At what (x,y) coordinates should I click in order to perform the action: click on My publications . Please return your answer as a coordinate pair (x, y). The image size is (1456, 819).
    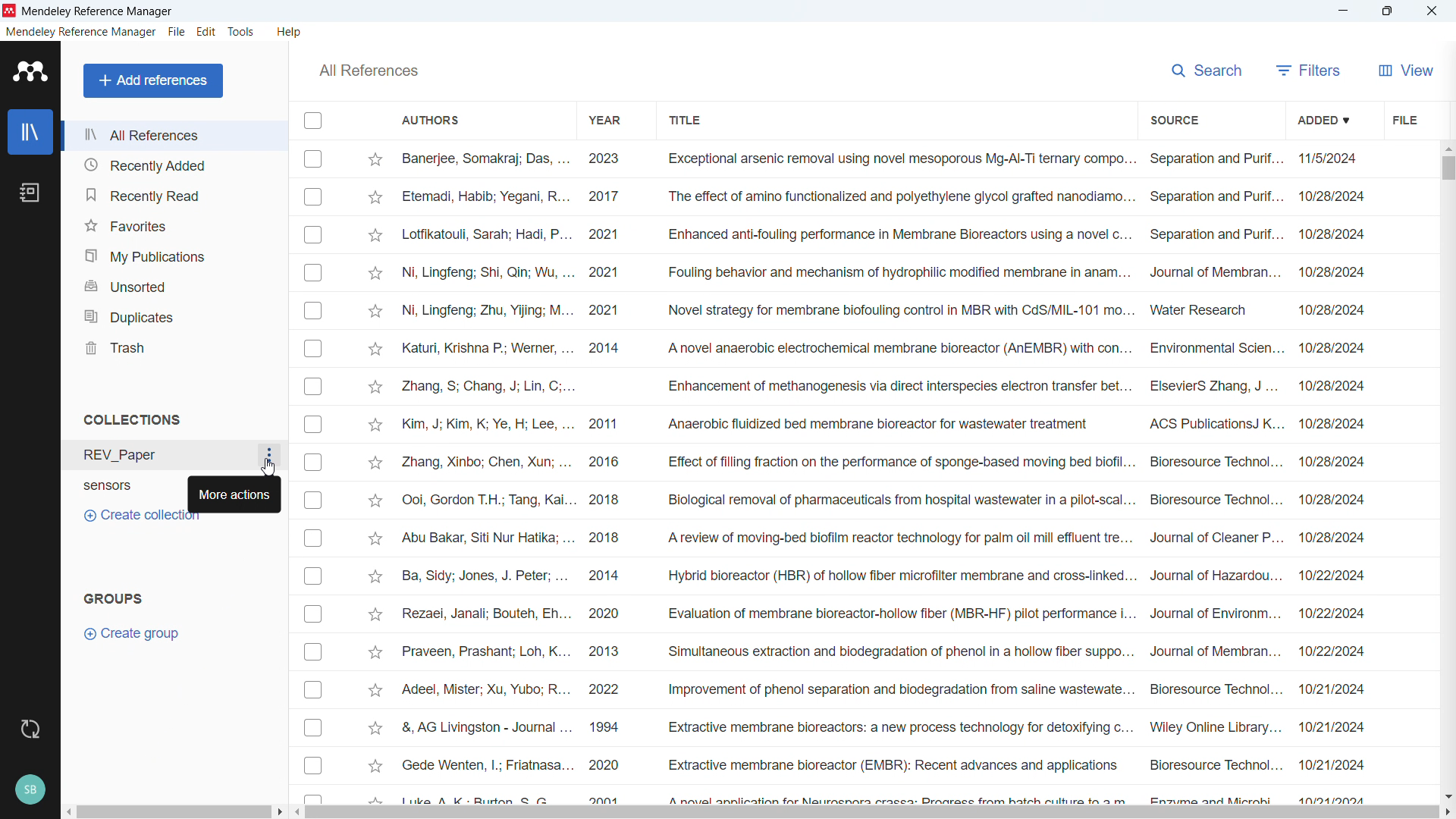
    Looking at the image, I should click on (174, 254).